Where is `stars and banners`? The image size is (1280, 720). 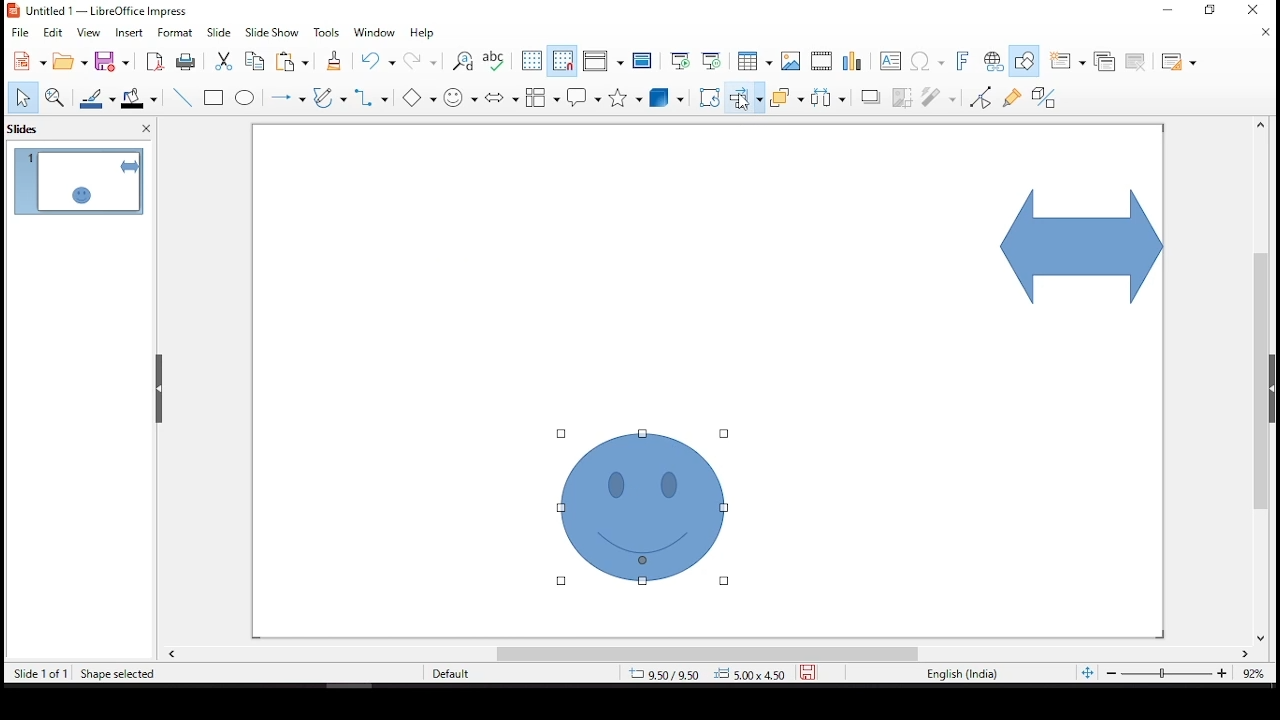 stars and banners is located at coordinates (623, 96).